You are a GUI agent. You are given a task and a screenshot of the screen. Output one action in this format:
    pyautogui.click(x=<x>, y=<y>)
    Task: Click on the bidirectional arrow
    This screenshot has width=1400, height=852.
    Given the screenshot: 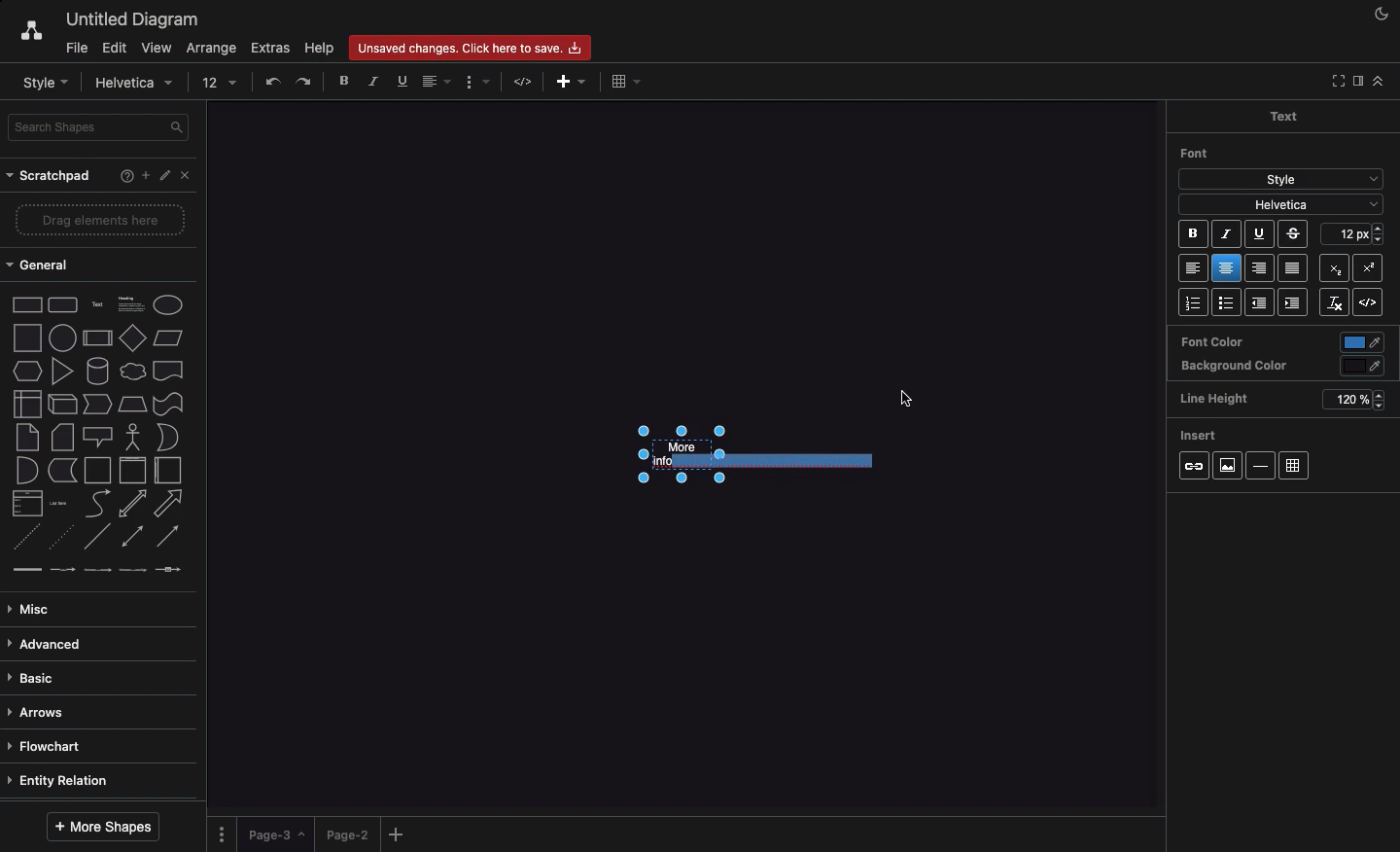 What is the action you would take?
    pyautogui.click(x=131, y=504)
    